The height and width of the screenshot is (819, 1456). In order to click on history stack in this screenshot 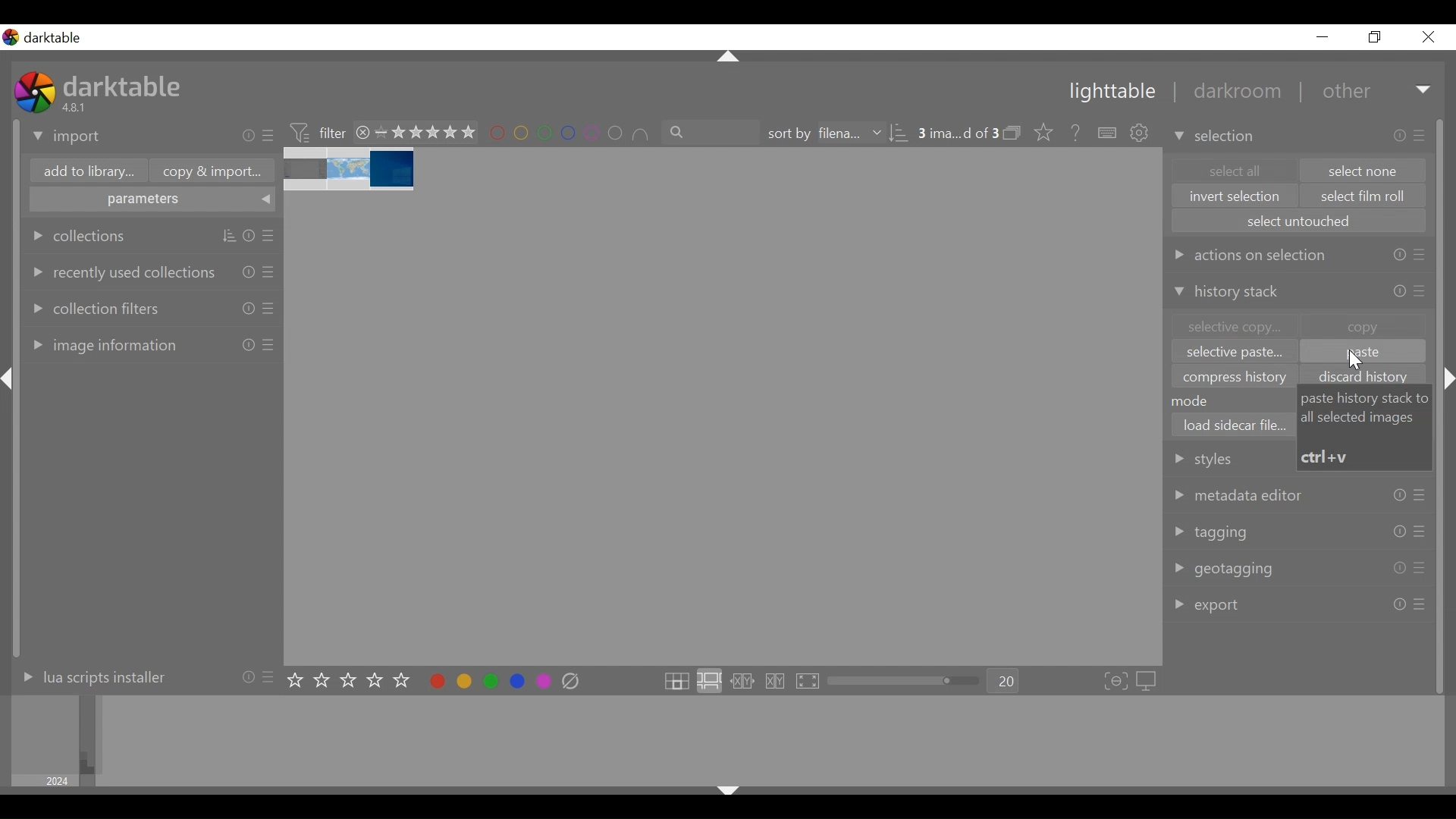, I will do `click(1230, 293)`.